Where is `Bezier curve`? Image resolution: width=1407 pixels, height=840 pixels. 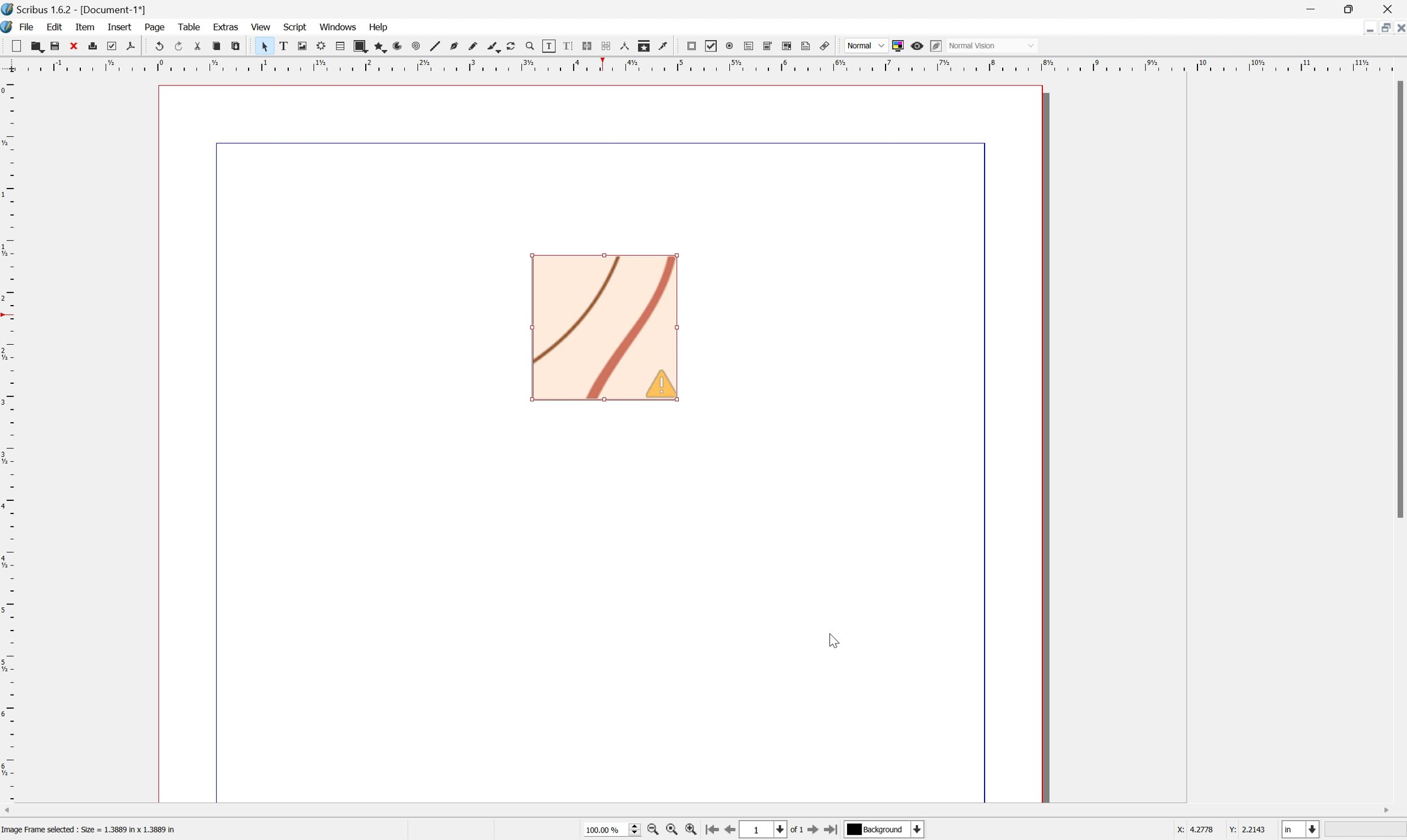
Bezier curve is located at coordinates (457, 44).